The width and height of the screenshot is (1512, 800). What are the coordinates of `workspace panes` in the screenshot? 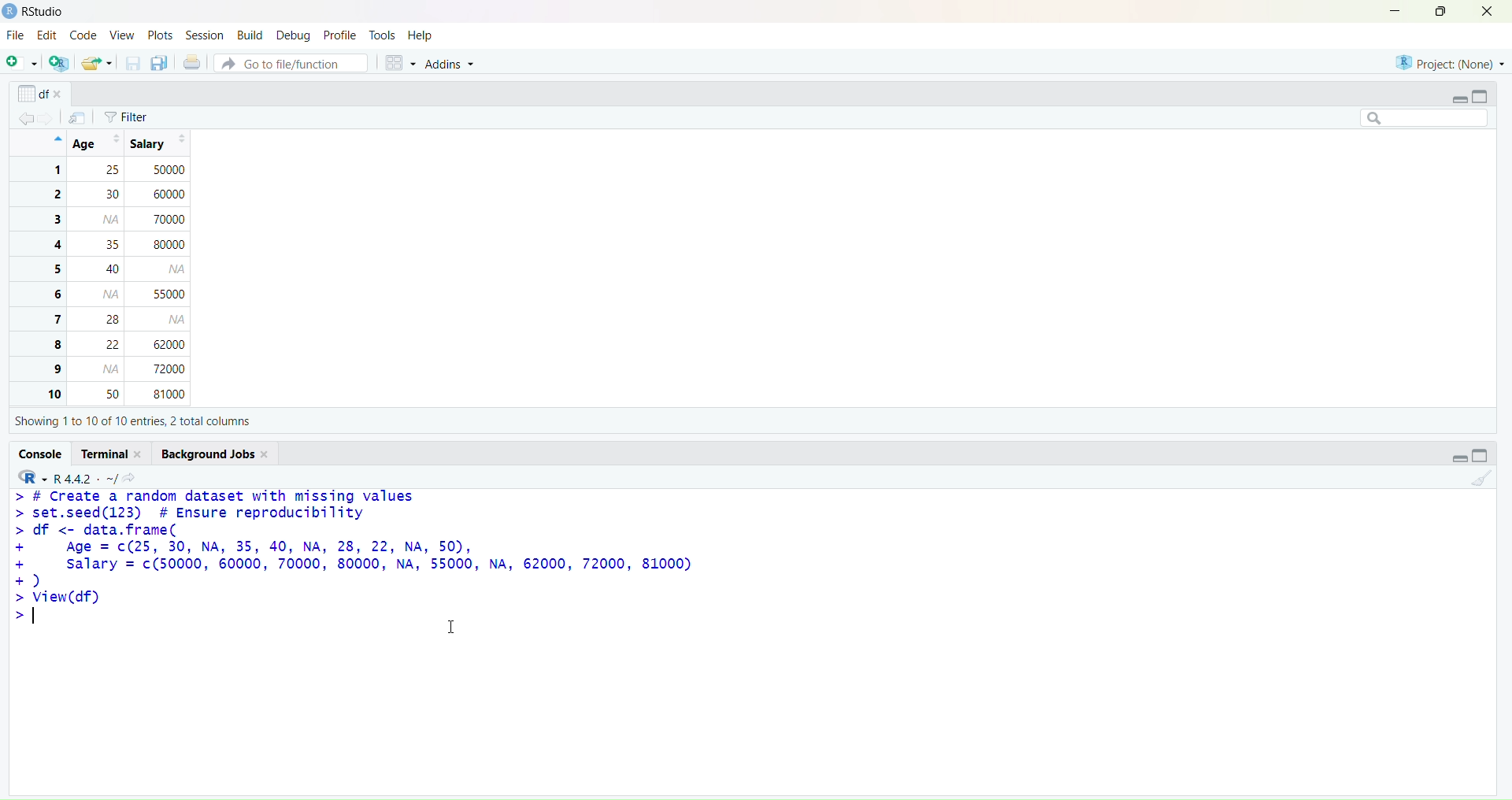 It's located at (401, 65).